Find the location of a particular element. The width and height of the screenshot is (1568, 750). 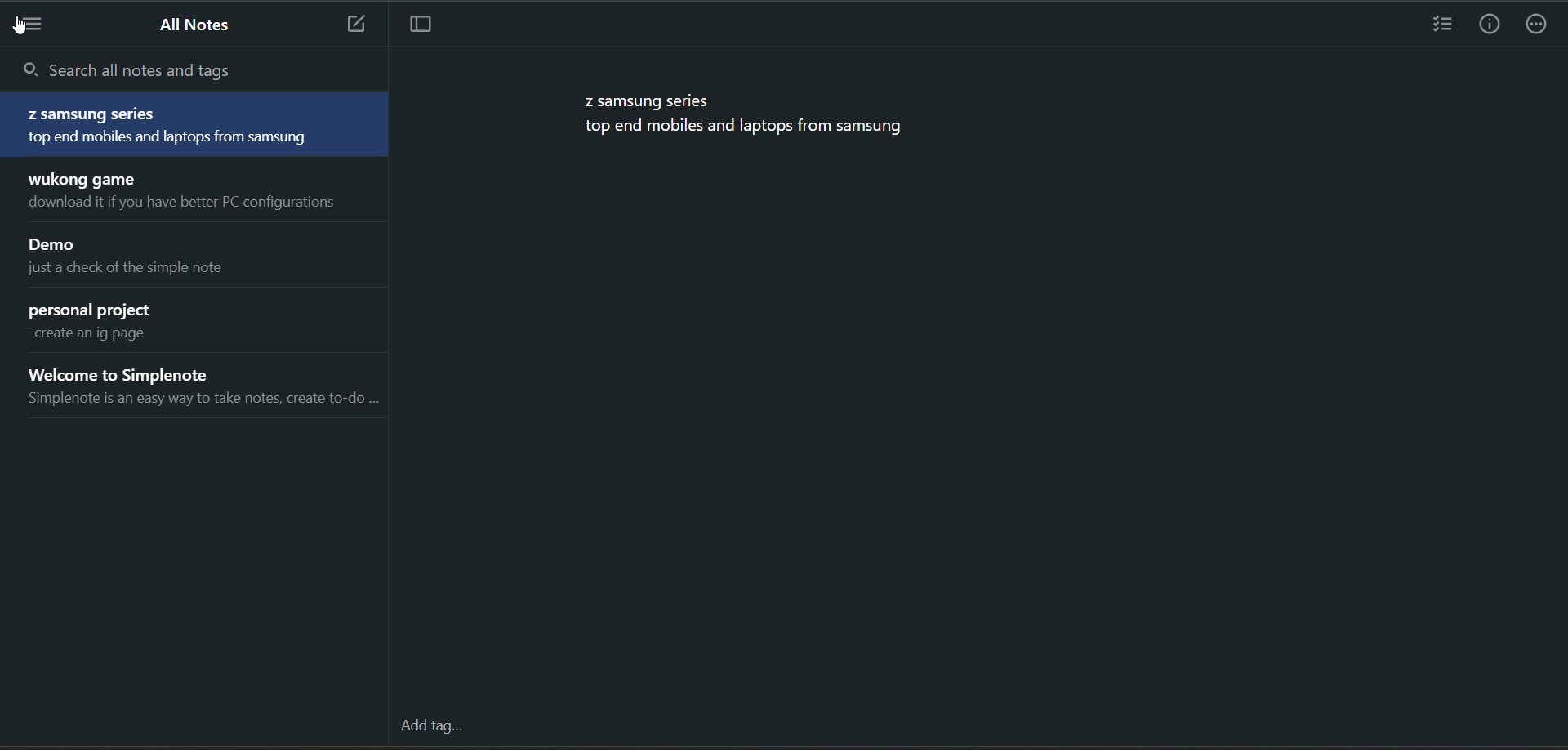

Welcome to Simplenote
Simplenote is an easy way to take notes, create to-do ... is located at coordinates (200, 390).